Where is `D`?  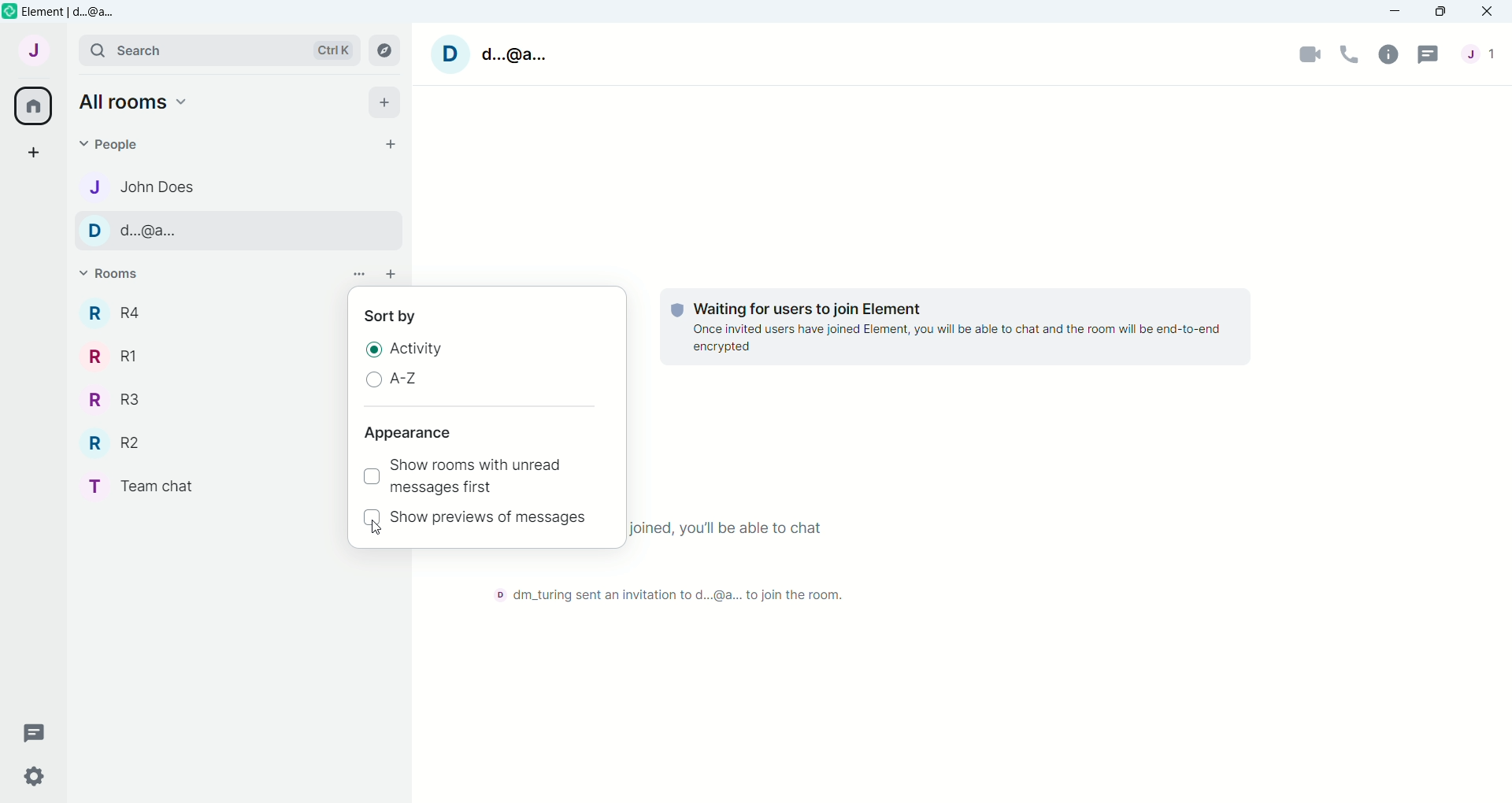 D is located at coordinates (451, 54).